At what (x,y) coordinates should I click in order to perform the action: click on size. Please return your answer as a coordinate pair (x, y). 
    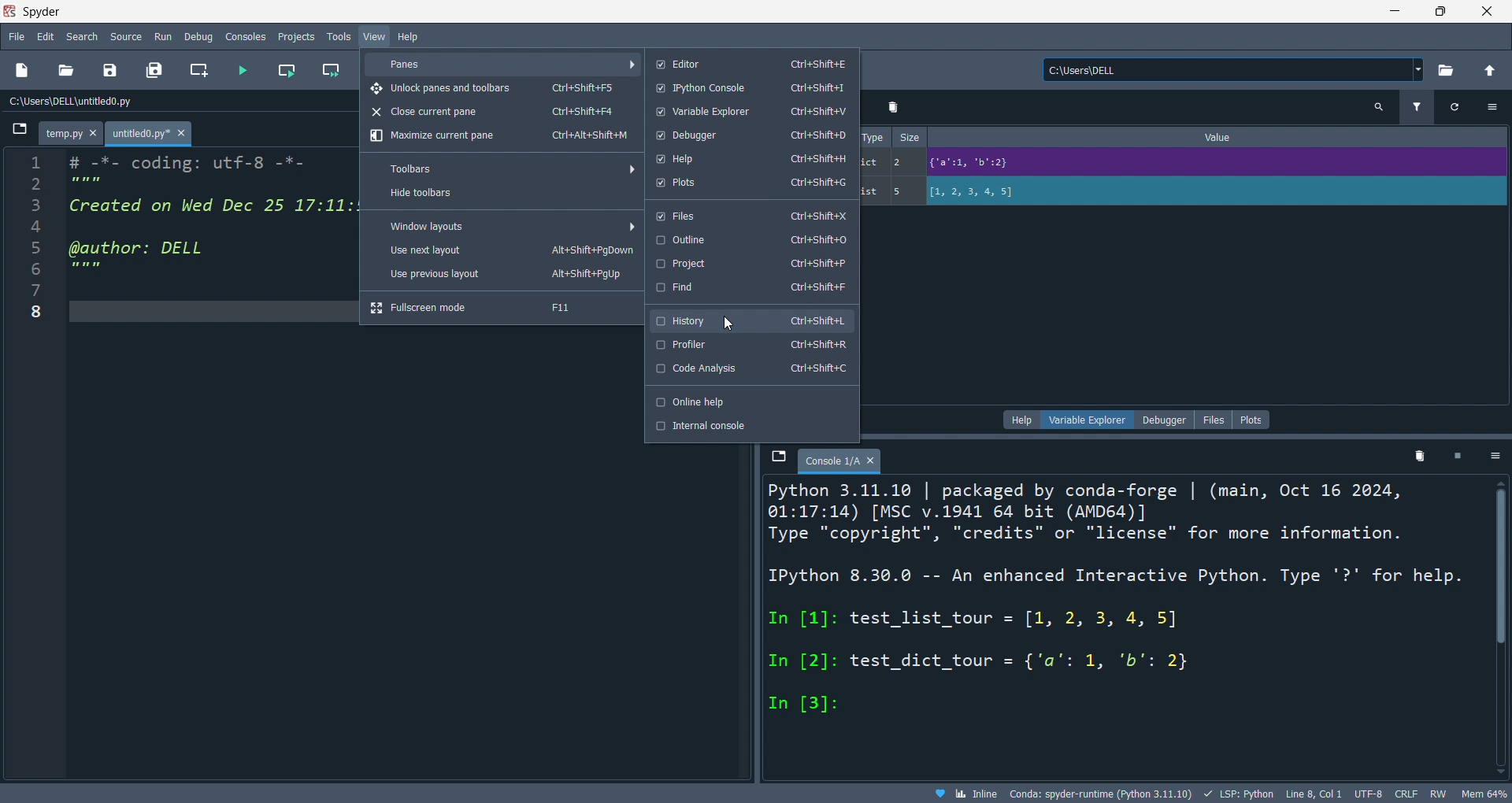
    Looking at the image, I should click on (910, 138).